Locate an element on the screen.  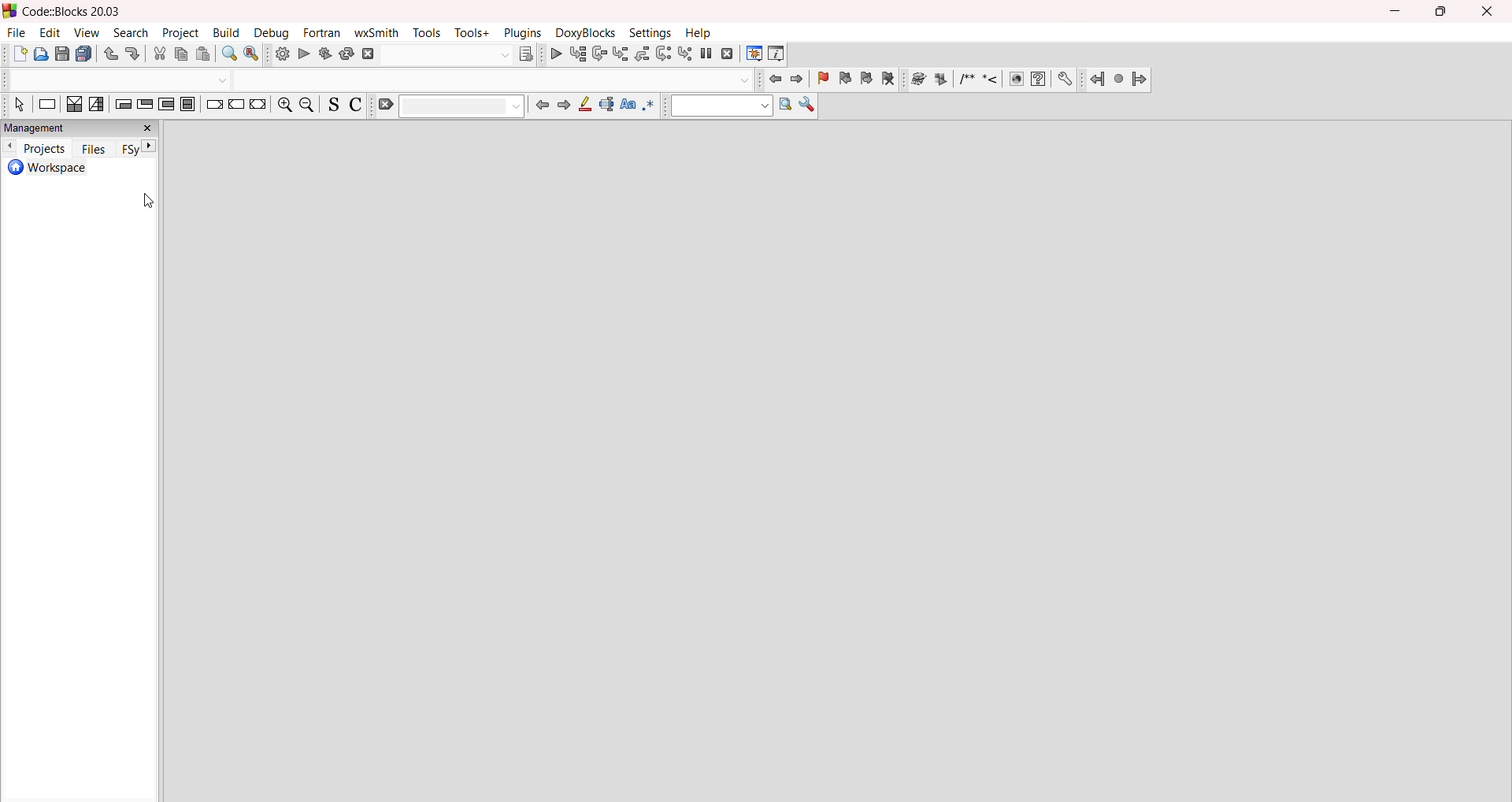
HTML help is located at coordinates (1039, 79).